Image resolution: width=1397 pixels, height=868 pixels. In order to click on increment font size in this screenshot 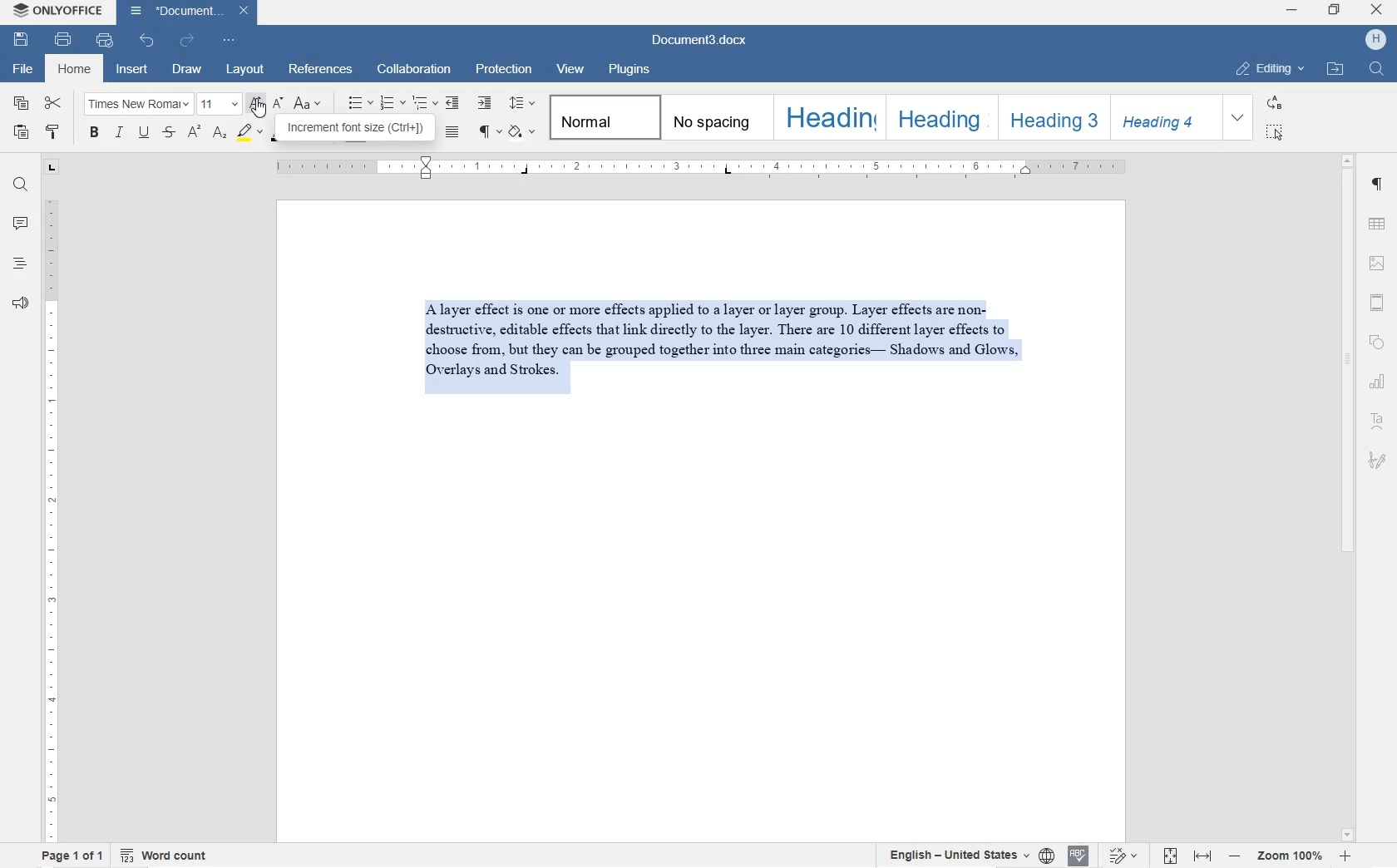, I will do `click(255, 104)`.